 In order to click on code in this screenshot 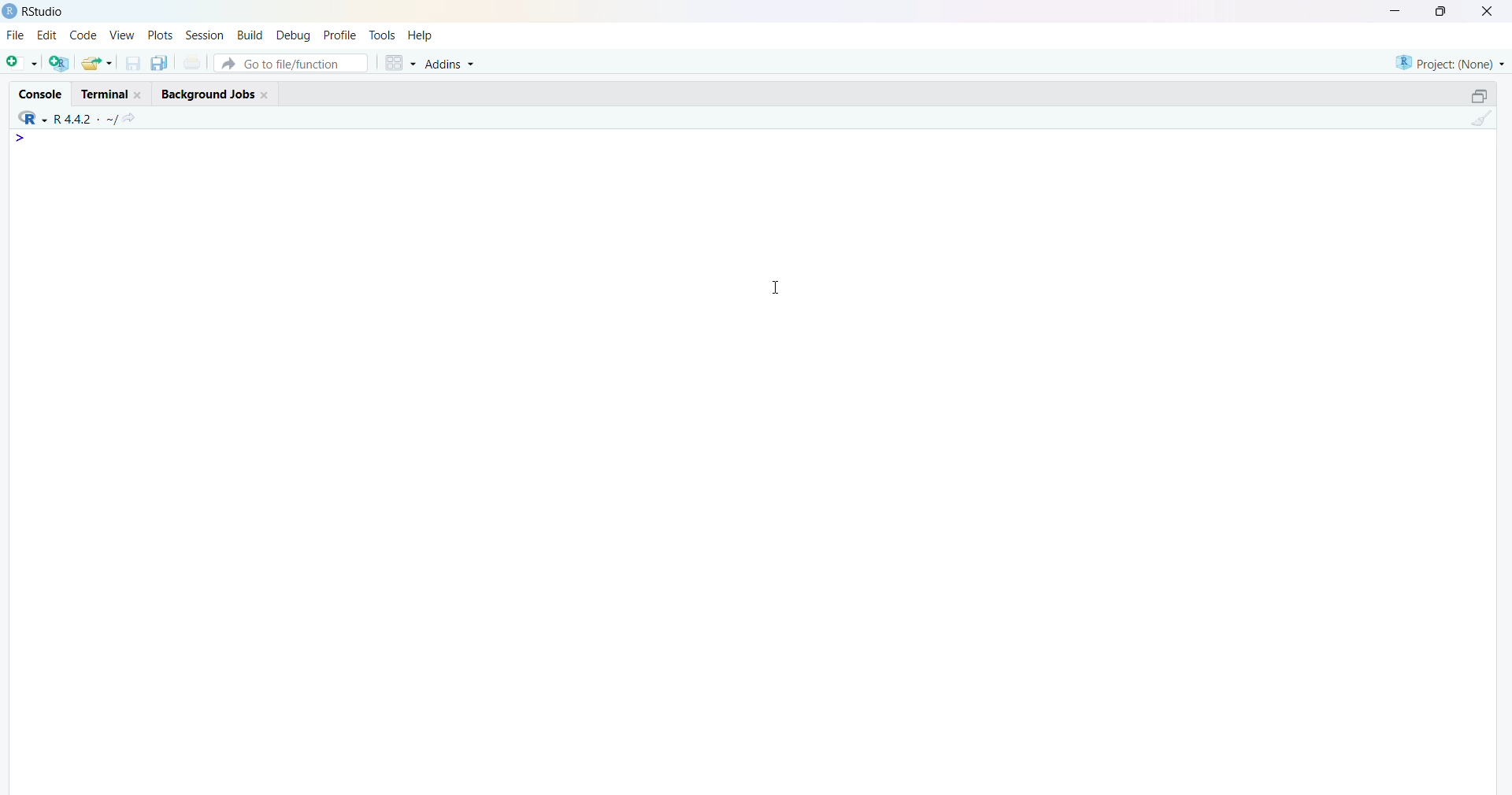, I will do `click(83, 35)`.